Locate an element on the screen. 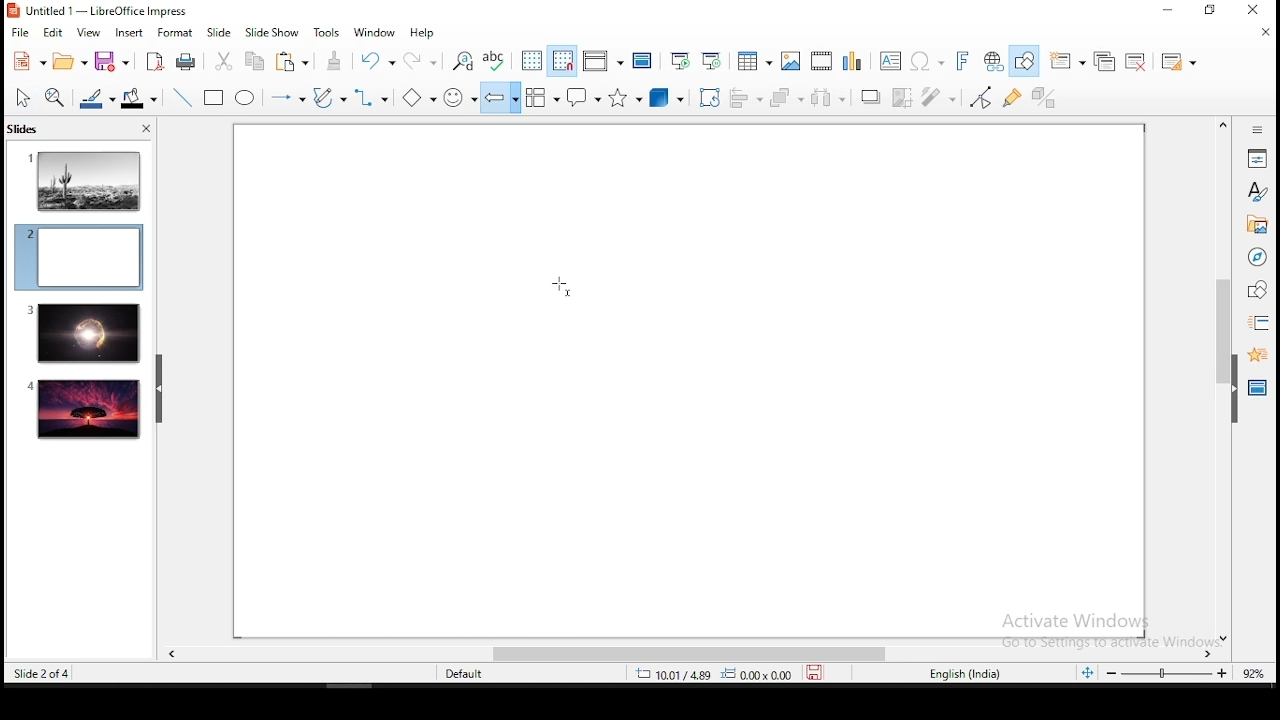 The width and height of the screenshot is (1280, 720). start from first slide is located at coordinates (680, 61).